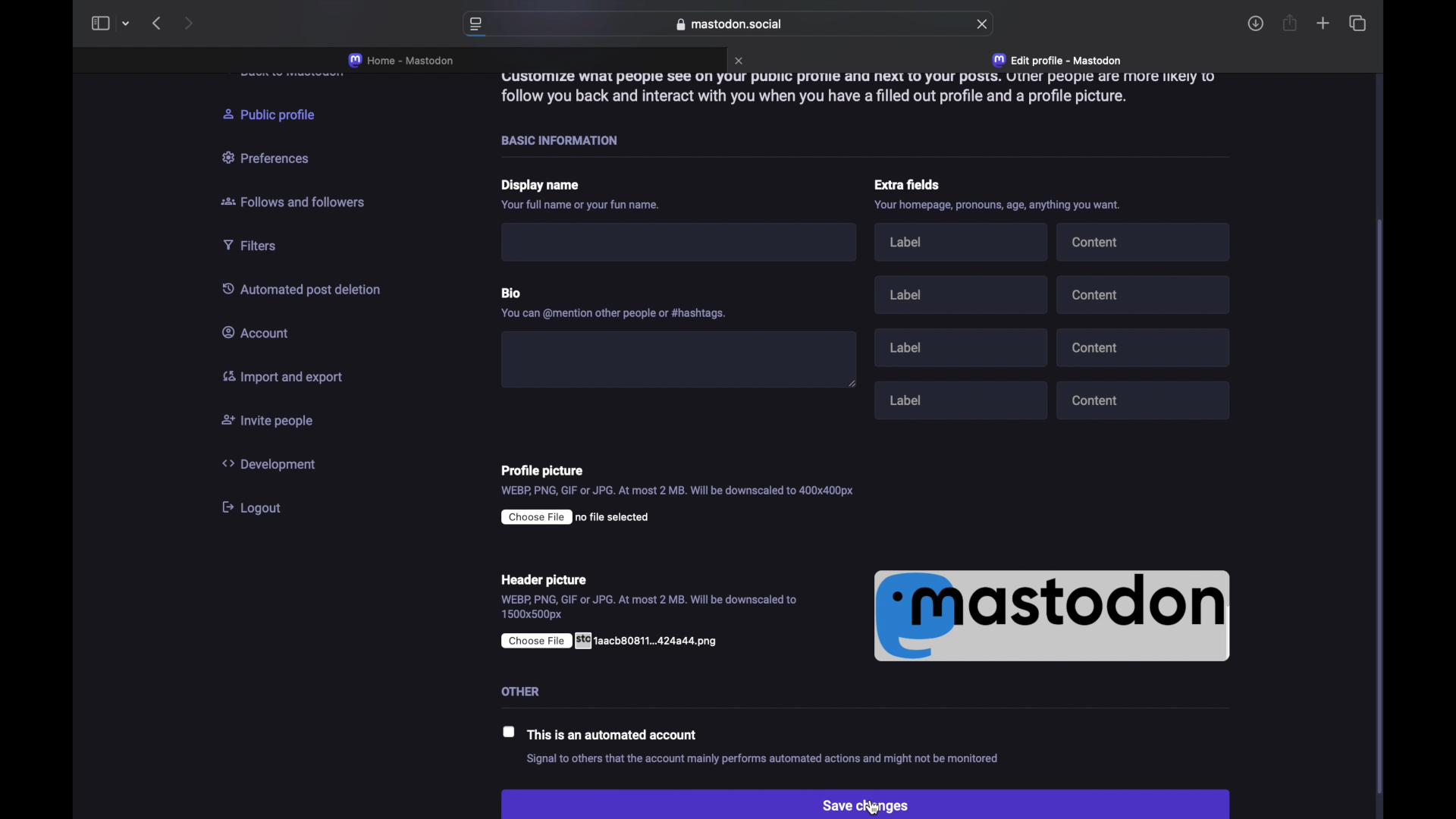  What do you see at coordinates (587, 206) in the screenshot?
I see `Your full name or your fun name.` at bounding box center [587, 206].